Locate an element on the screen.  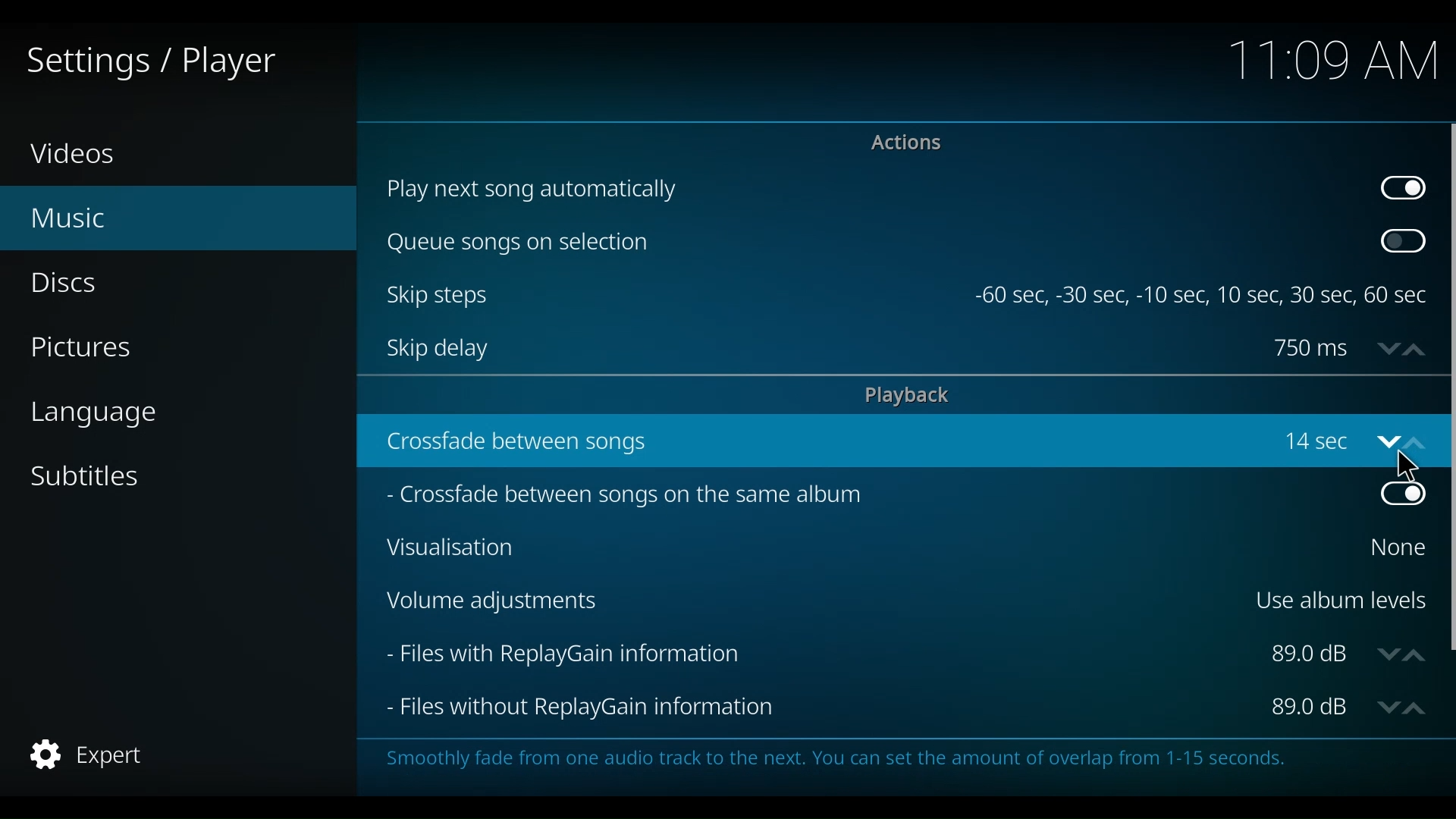
Use album levels is located at coordinates (1339, 598).